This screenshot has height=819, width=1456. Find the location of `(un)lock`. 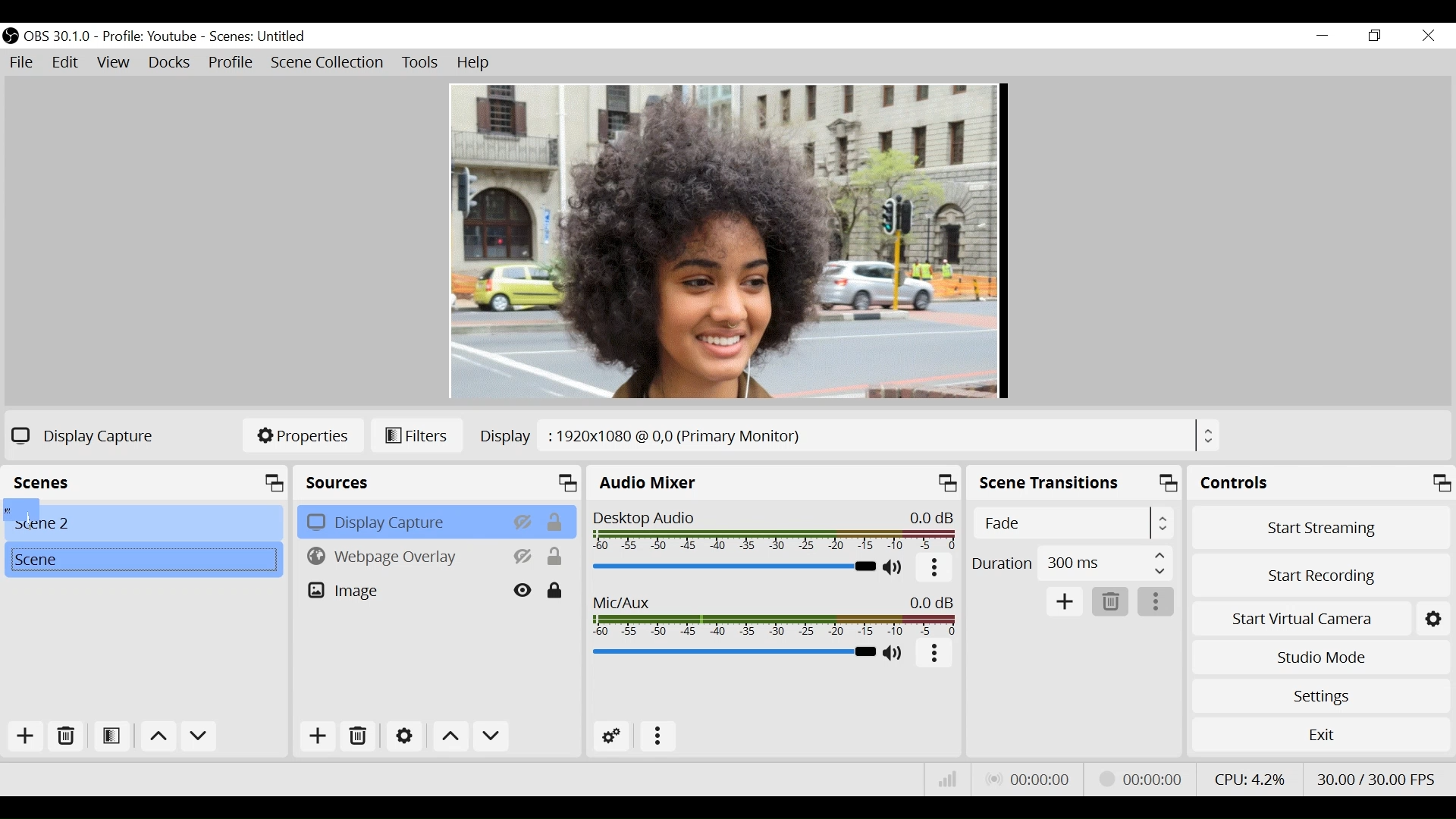

(un)lock is located at coordinates (556, 521).